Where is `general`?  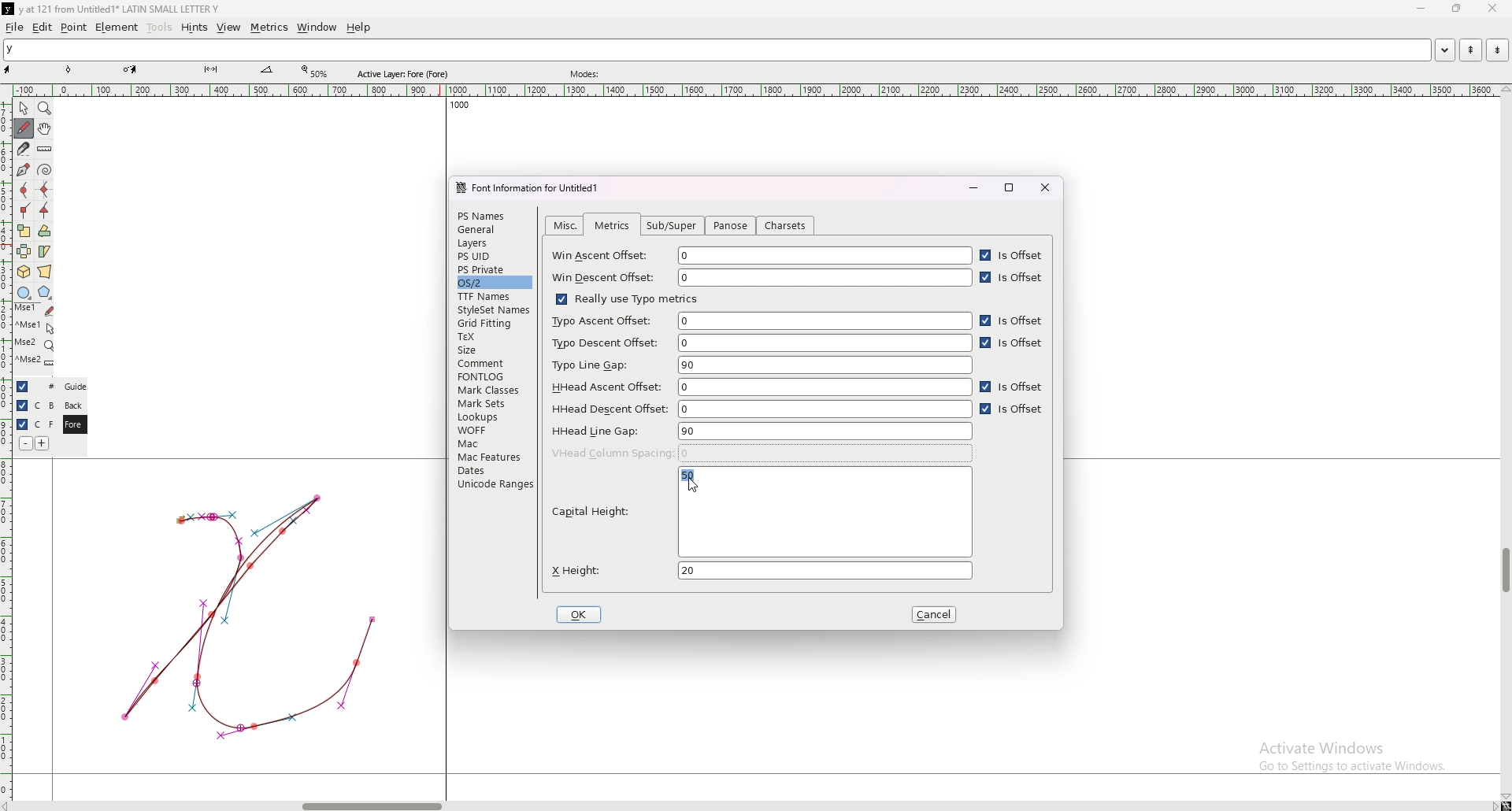
general is located at coordinates (494, 231).